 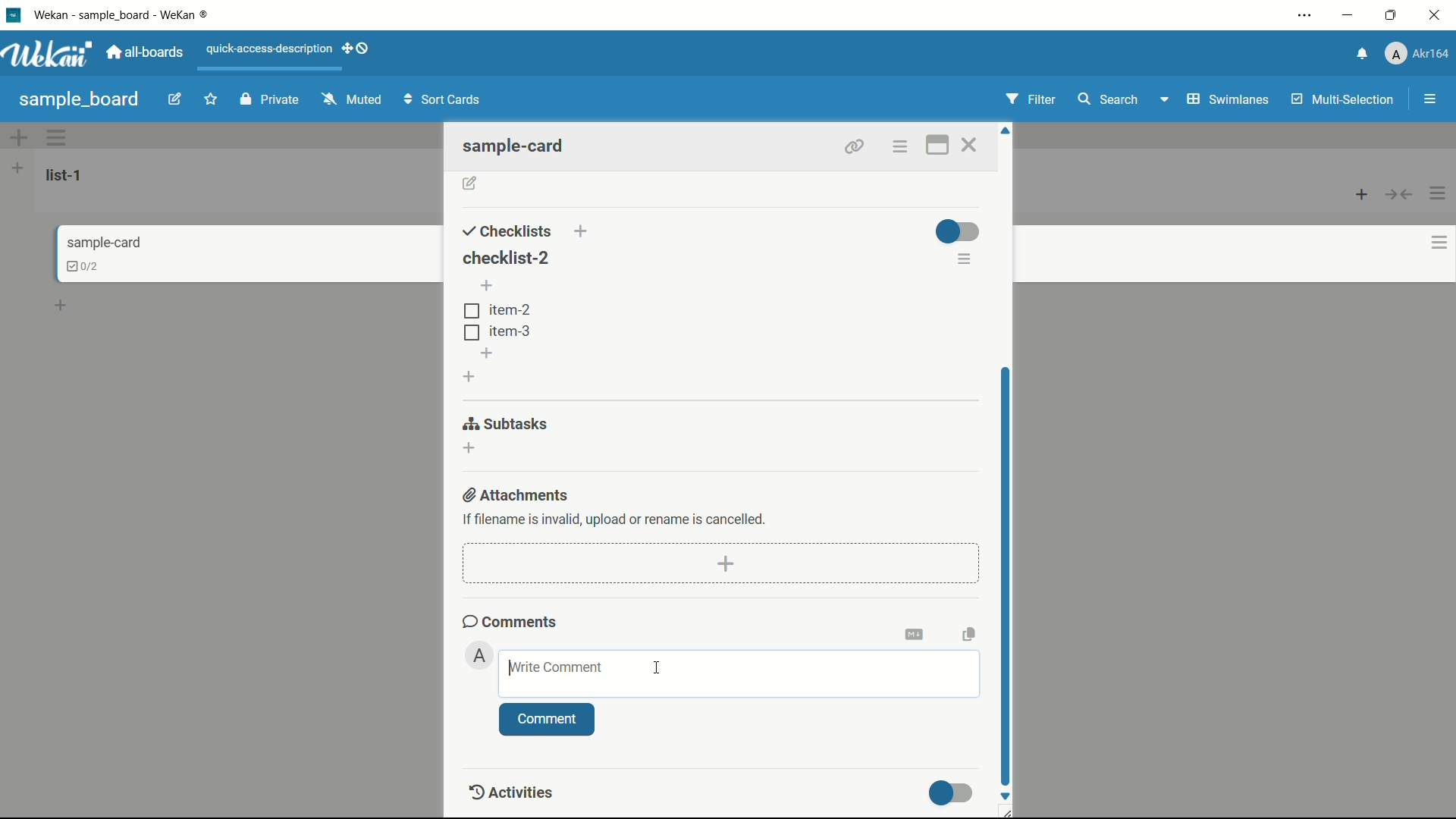 I want to click on quick-access-description, so click(x=269, y=49).